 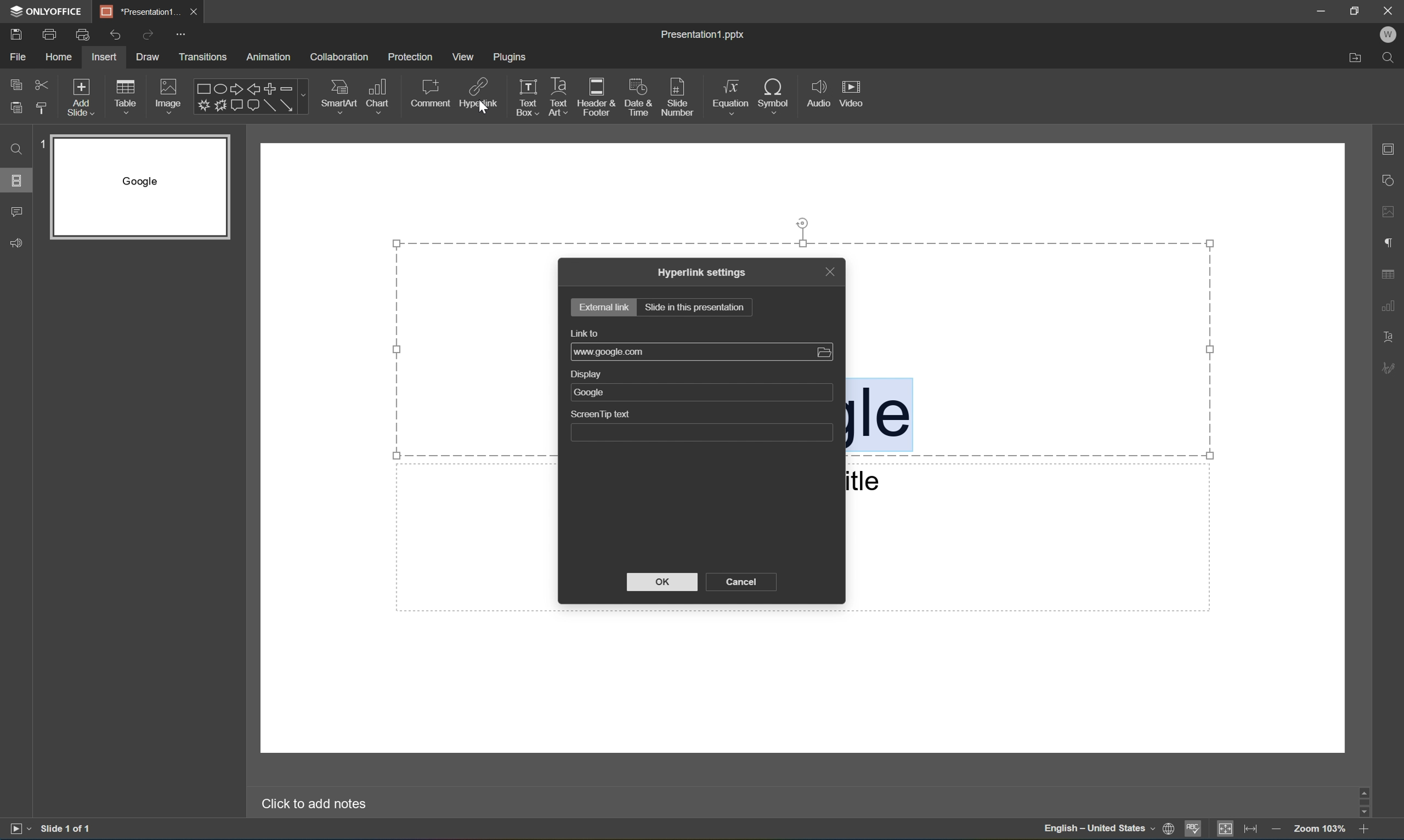 What do you see at coordinates (1393, 335) in the screenshot?
I see `Text art settings` at bounding box center [1393, 335].